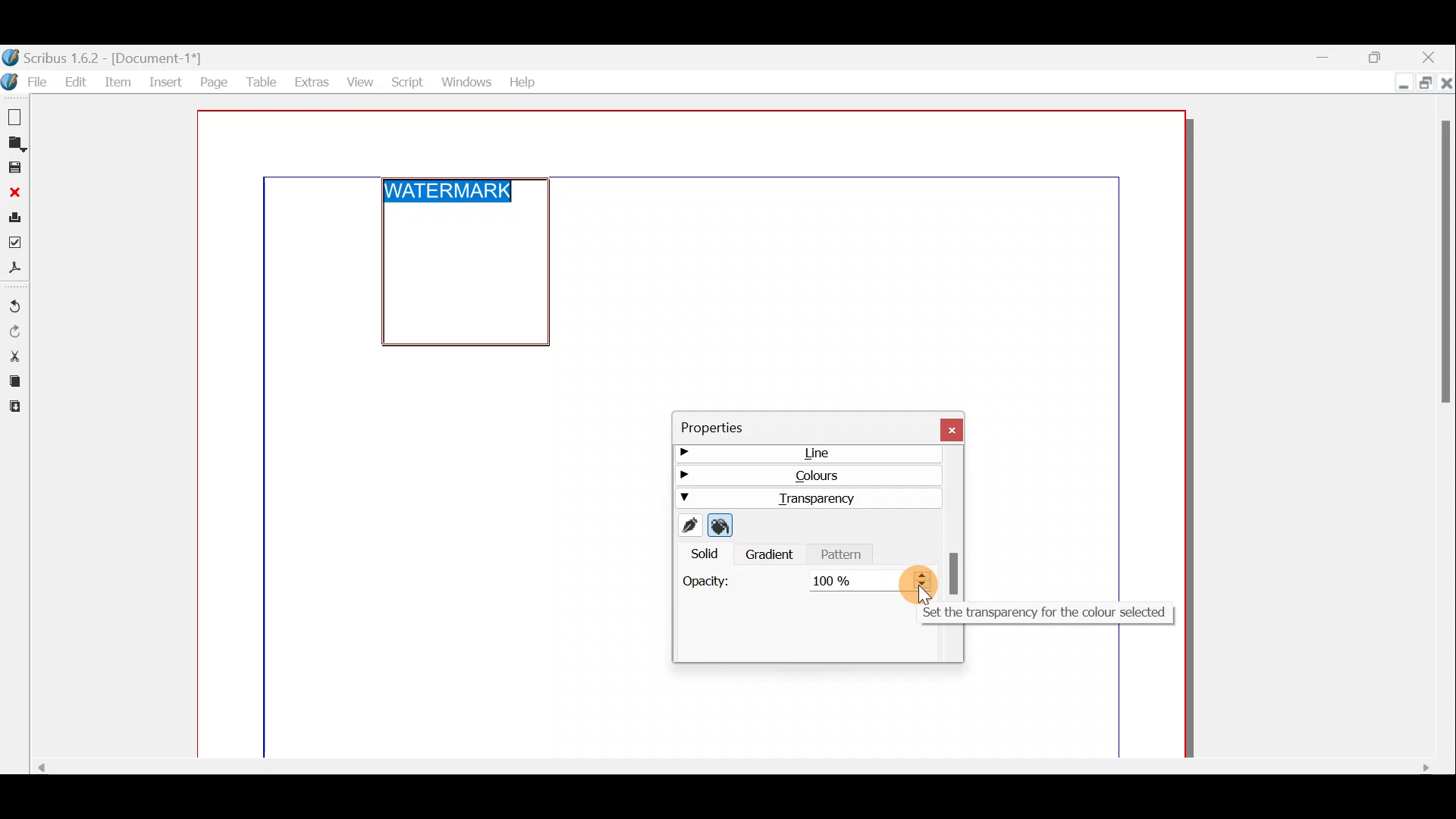 The width and height of the screenshot is (1456, 819). I want to click on Save as PDF, so click(14, 270).